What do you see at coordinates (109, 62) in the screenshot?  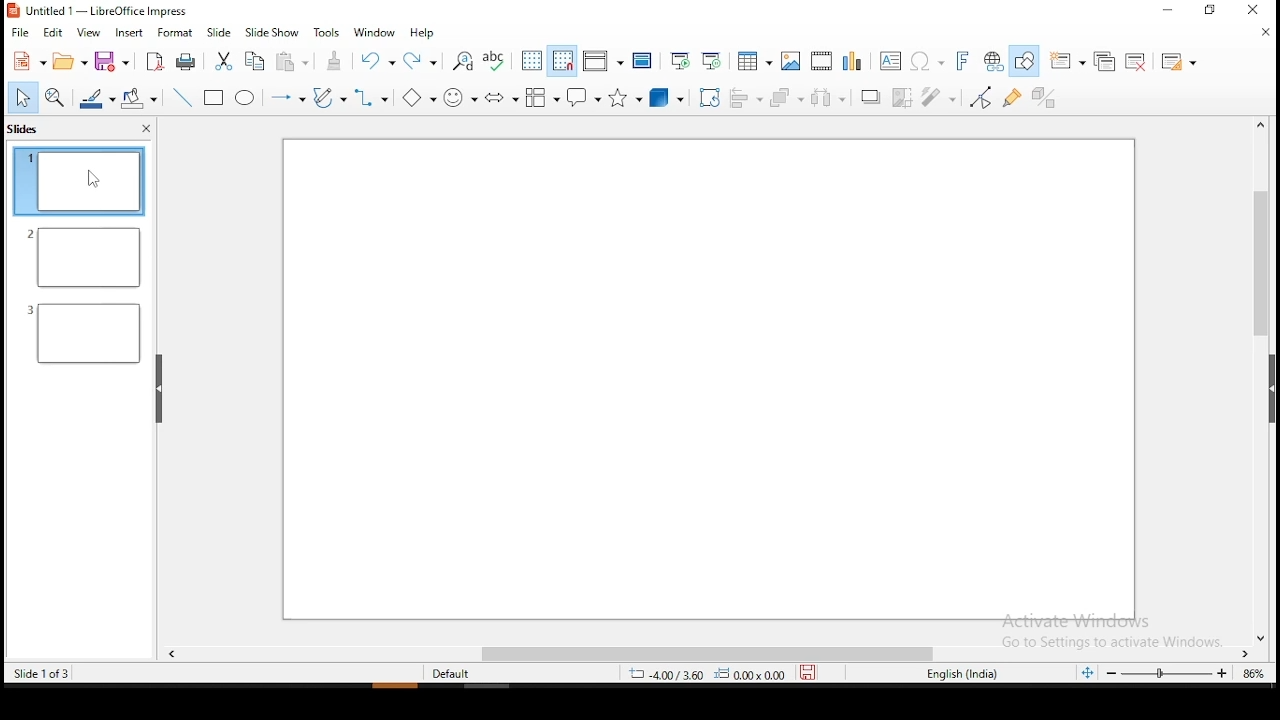 I see `save` at bounding box center [109, 62].